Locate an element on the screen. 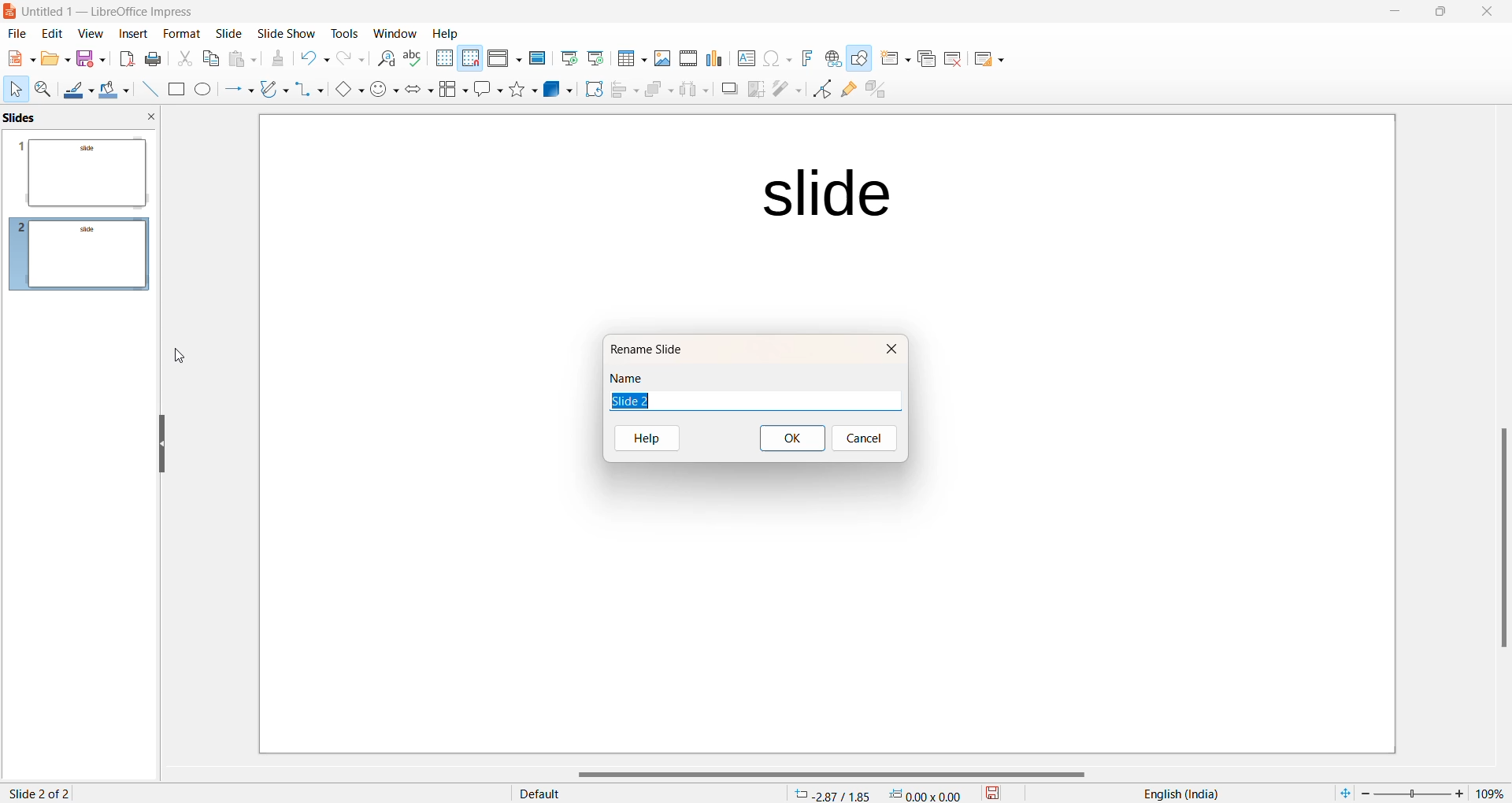 This screenshot has height=803, width=1512. horizontal scrollbar is located at coordinates (828, 774).